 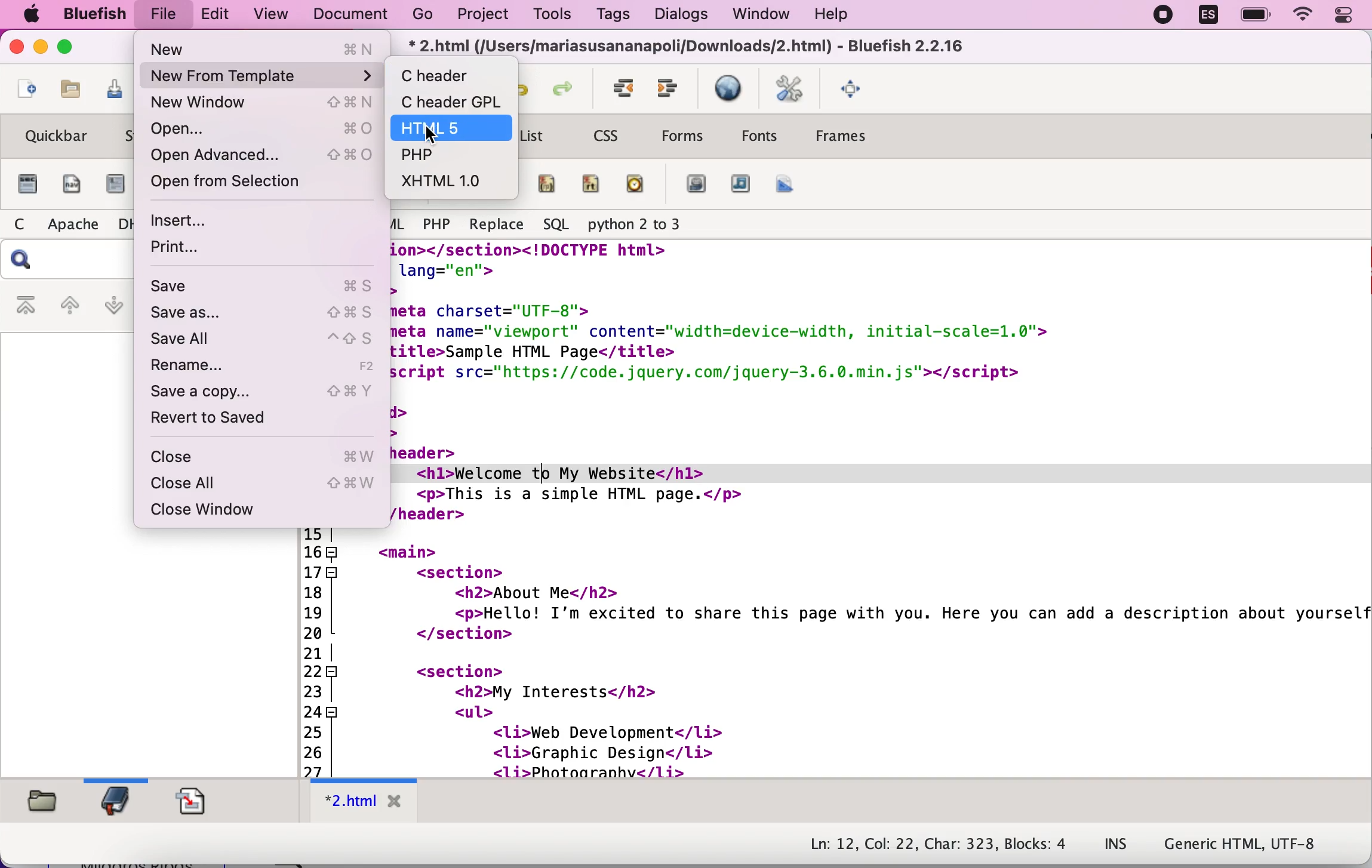 What do you see at coordinates (217, 15) in the screenshot?
I see `edit` at bounding box center [217, 15].